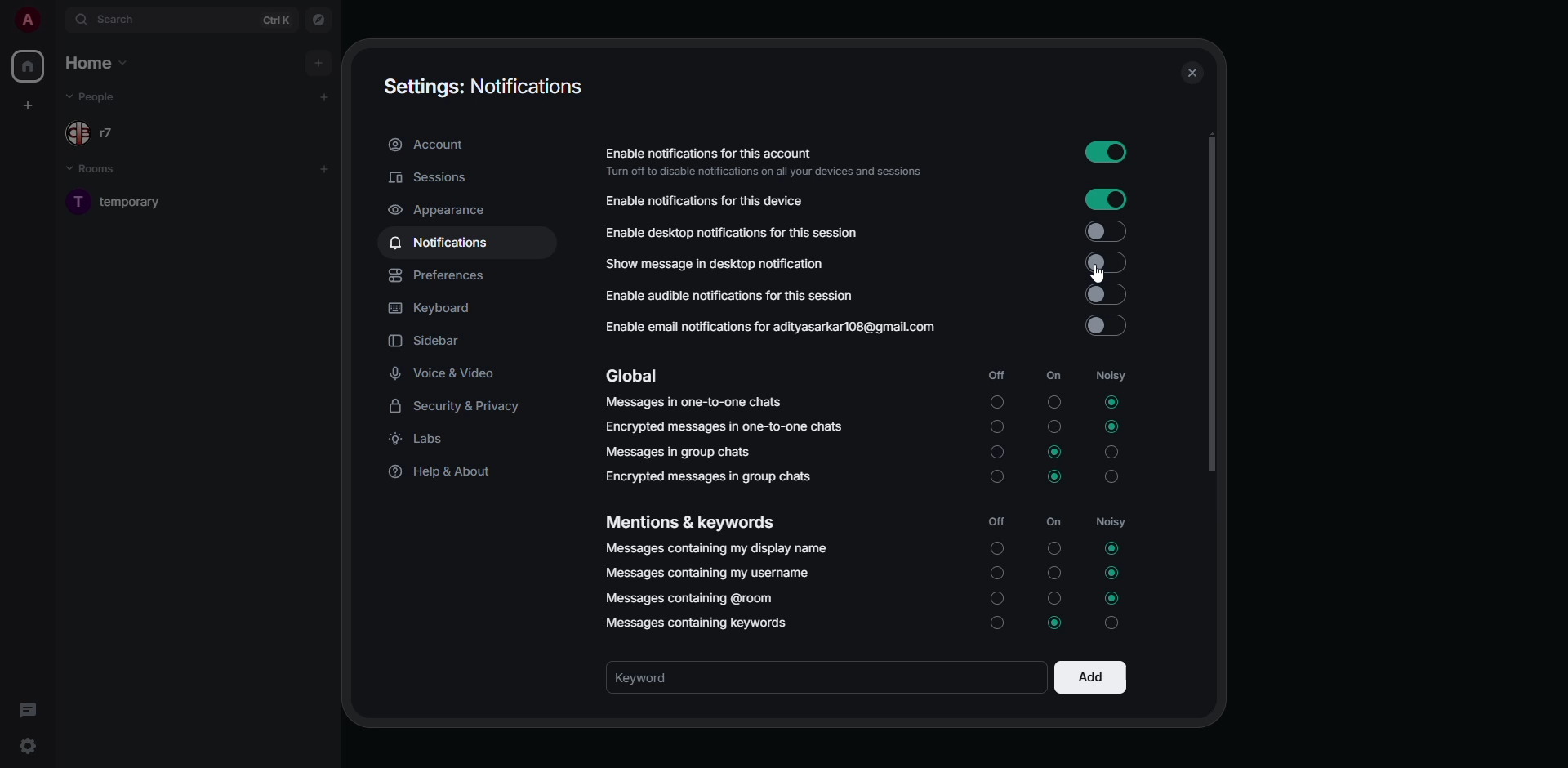  I want to click on on, so click(1056, 522).